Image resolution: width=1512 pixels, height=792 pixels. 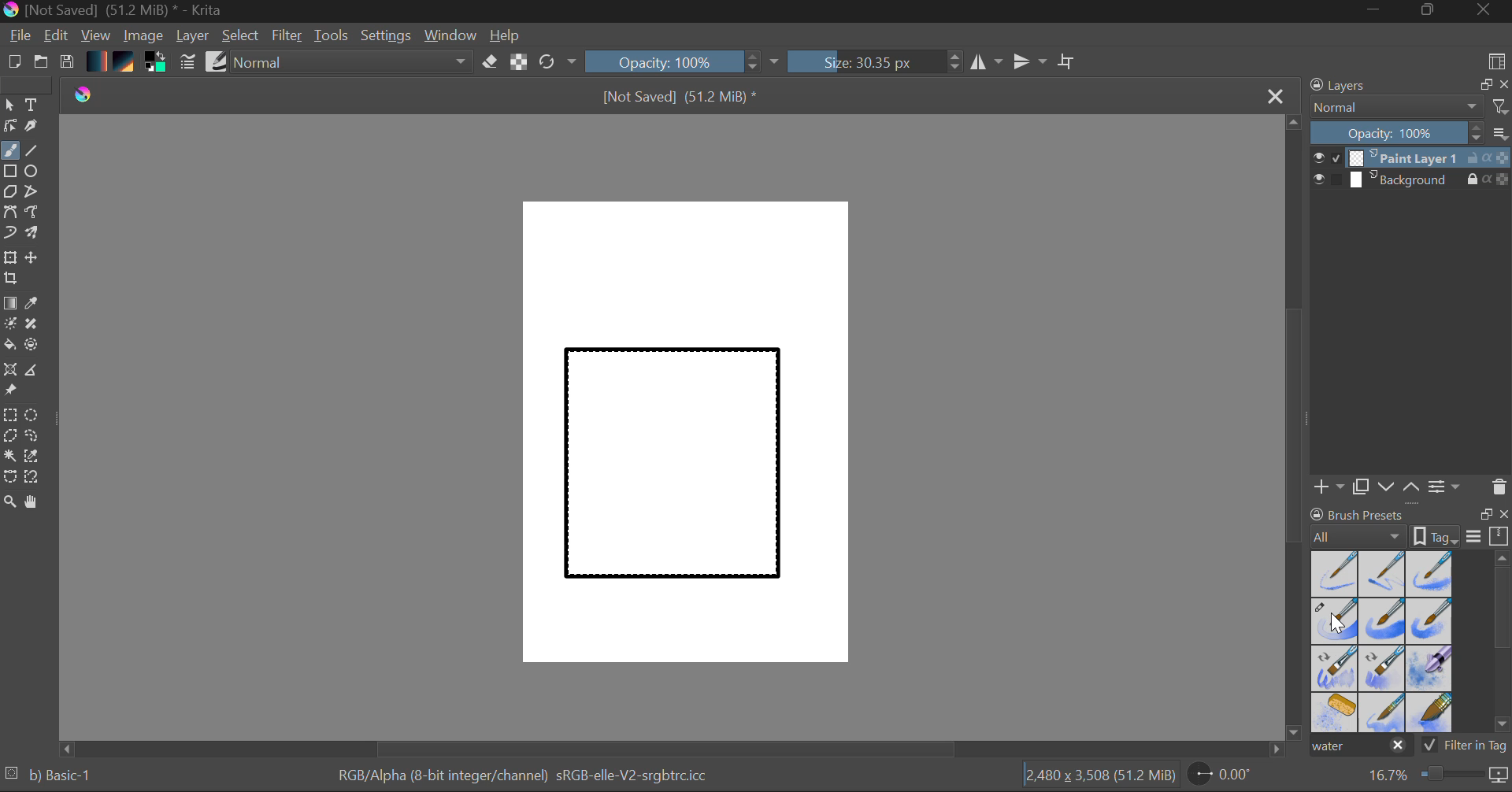 I want to click on Open, so click(x=43, y=64).